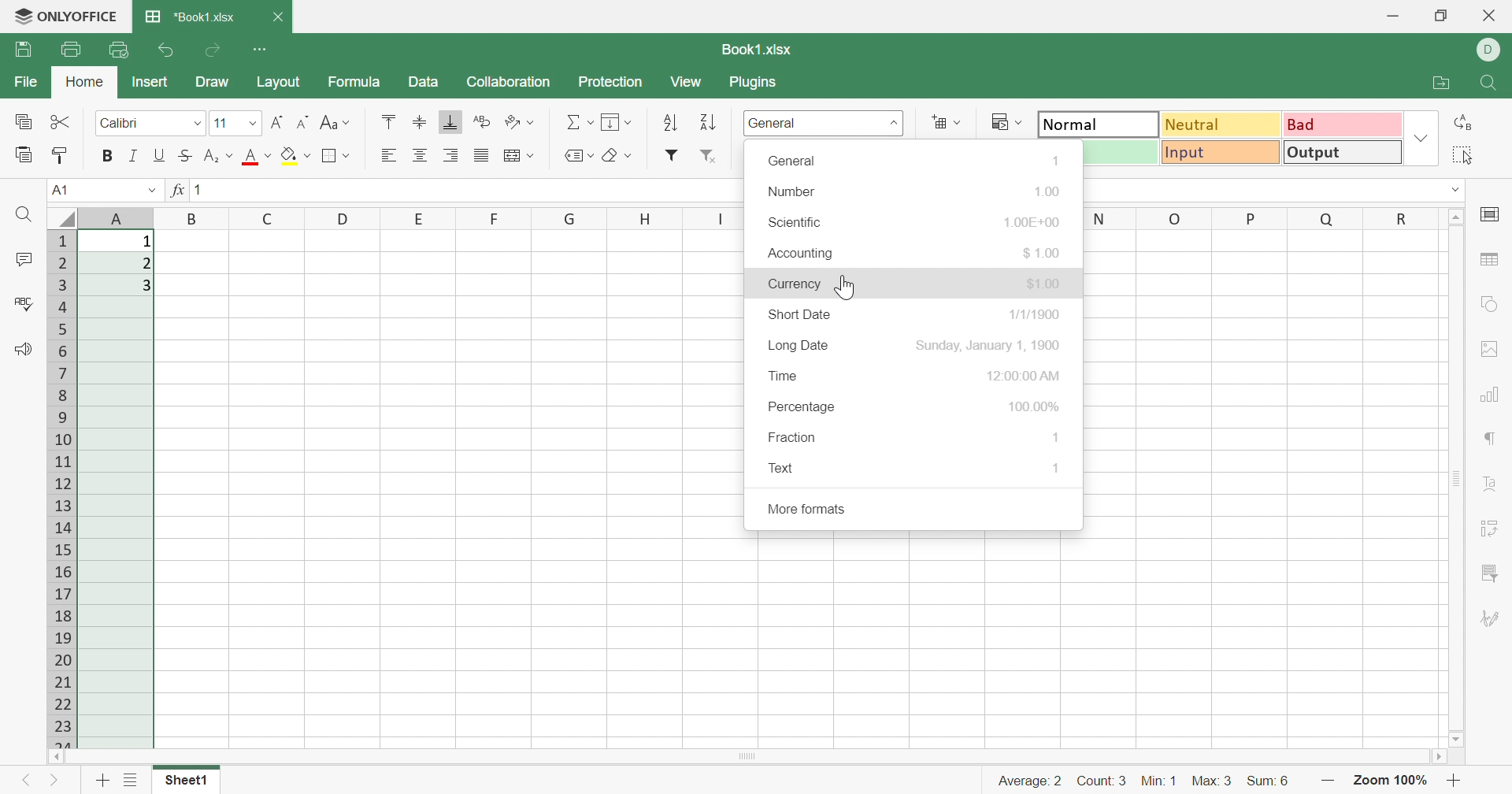  I want to click on Protection, so click(613, 82).